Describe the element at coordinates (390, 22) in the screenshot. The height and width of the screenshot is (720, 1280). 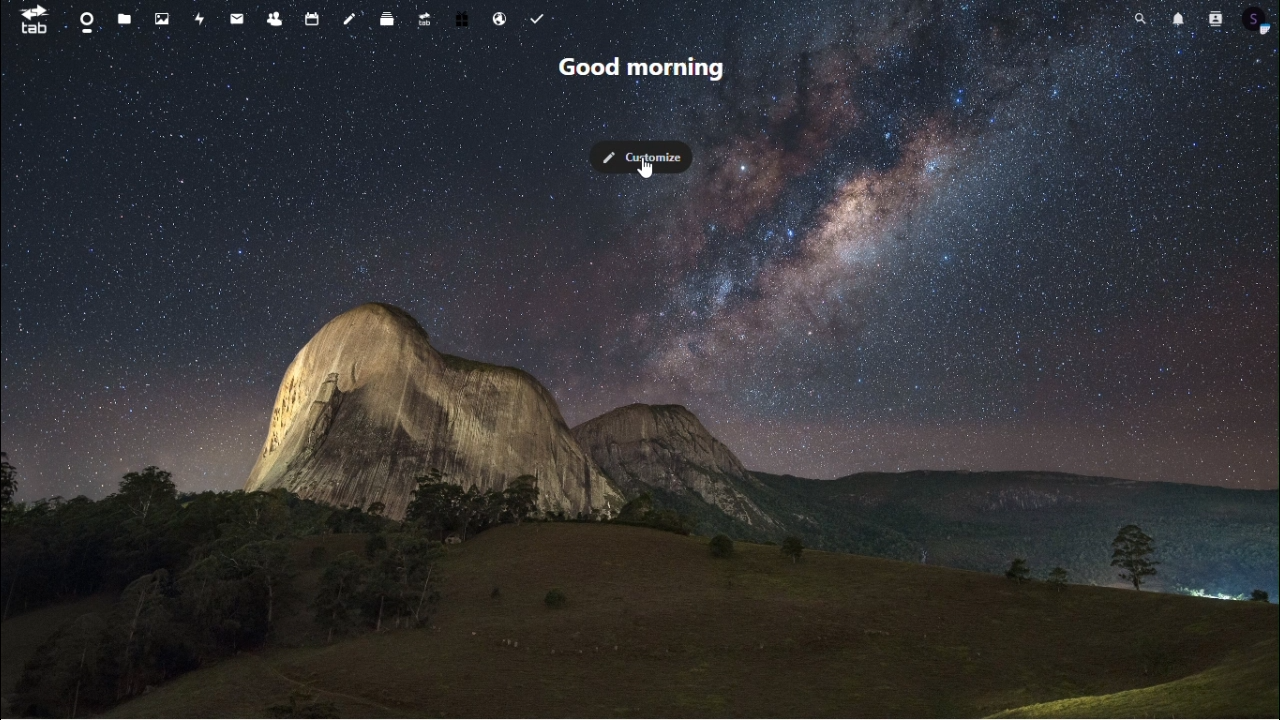
I see `deck` at that location.